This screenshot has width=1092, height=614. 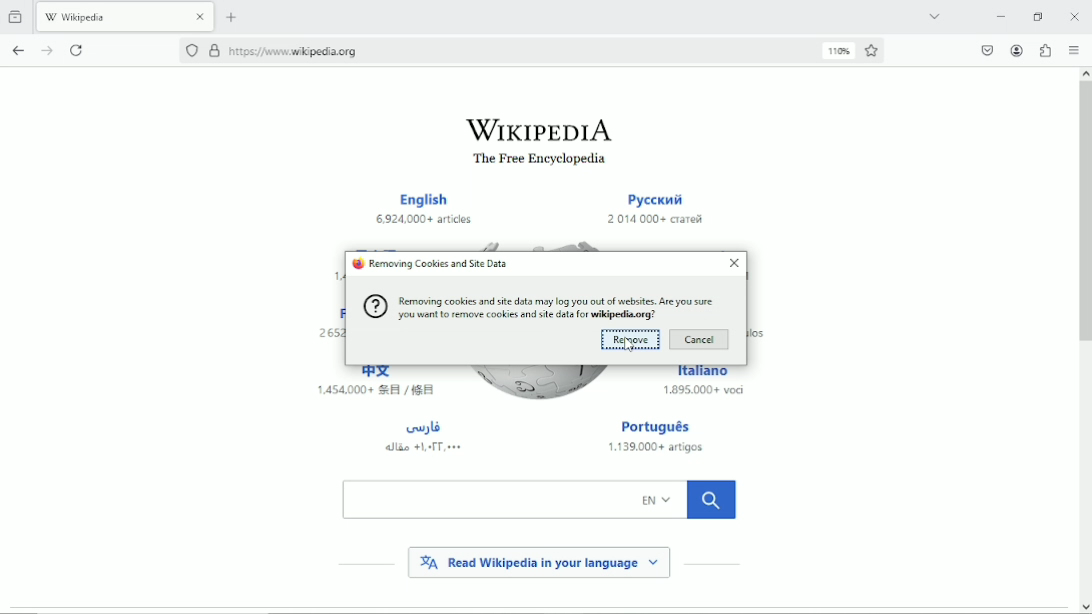 I want to click on link, so click(x=296, y=51).